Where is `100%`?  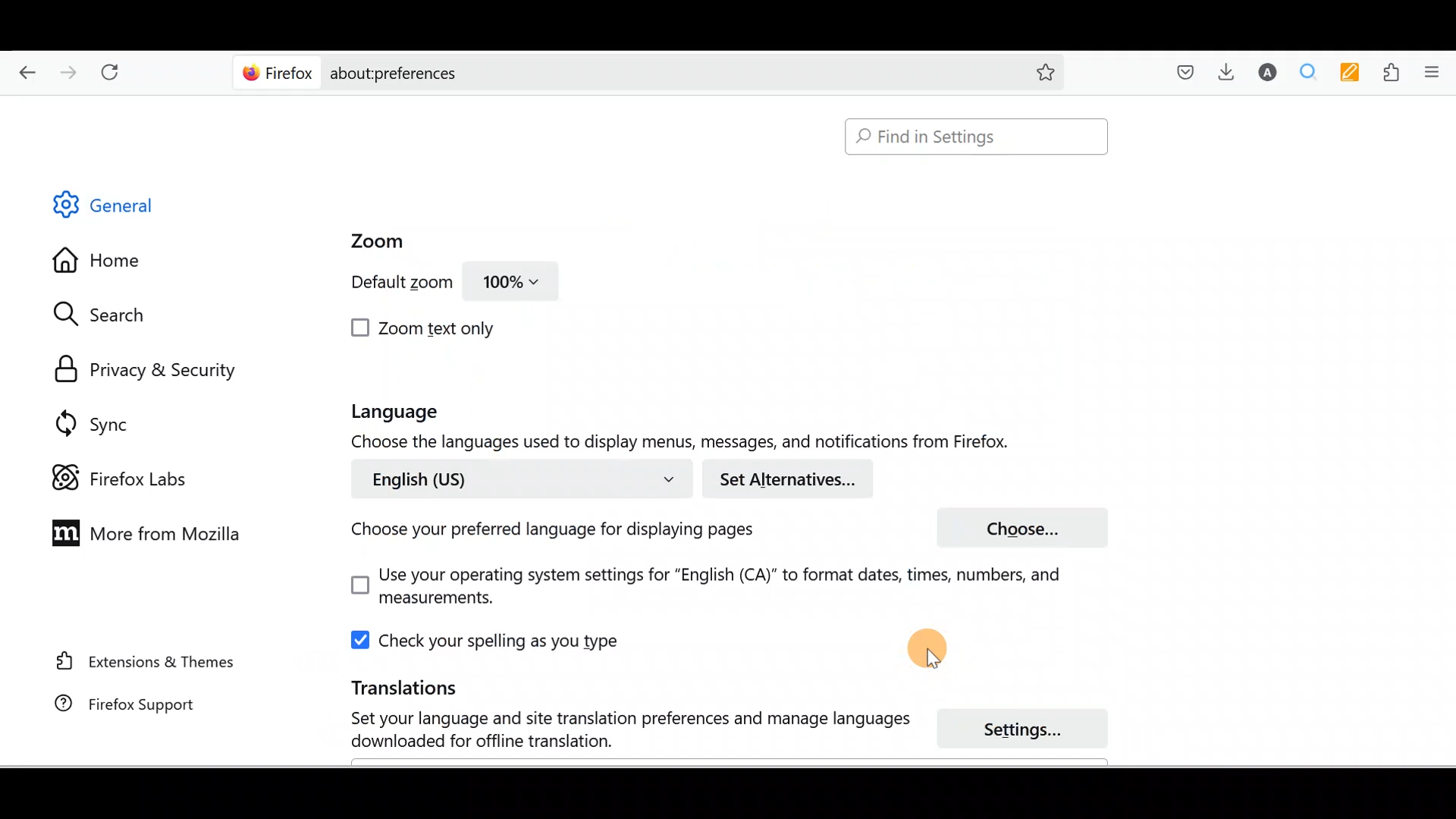
100% is located at coordinates (512, 285).